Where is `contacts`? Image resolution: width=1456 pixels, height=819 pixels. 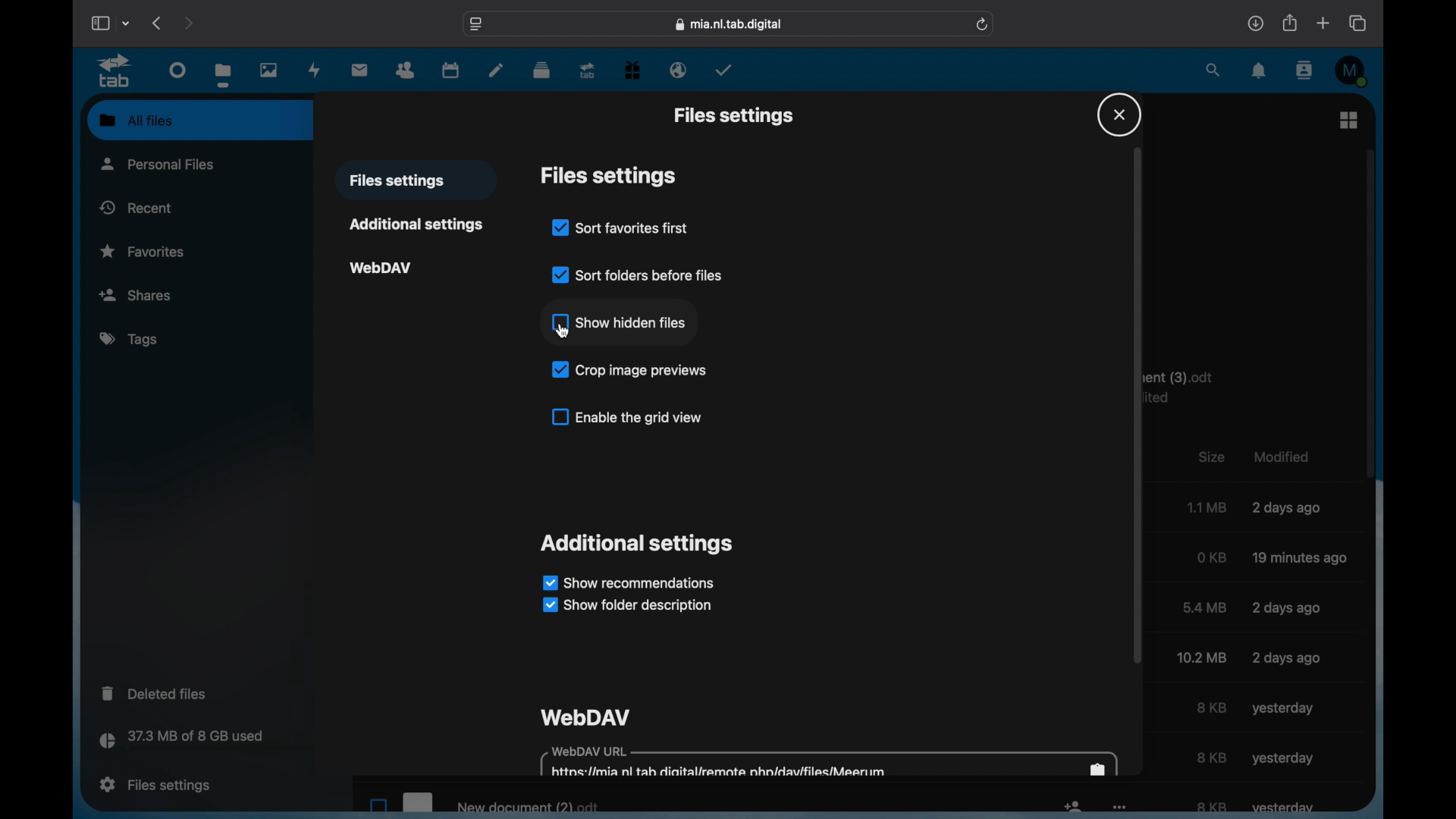 contacts is located at coordinates (406, 71).